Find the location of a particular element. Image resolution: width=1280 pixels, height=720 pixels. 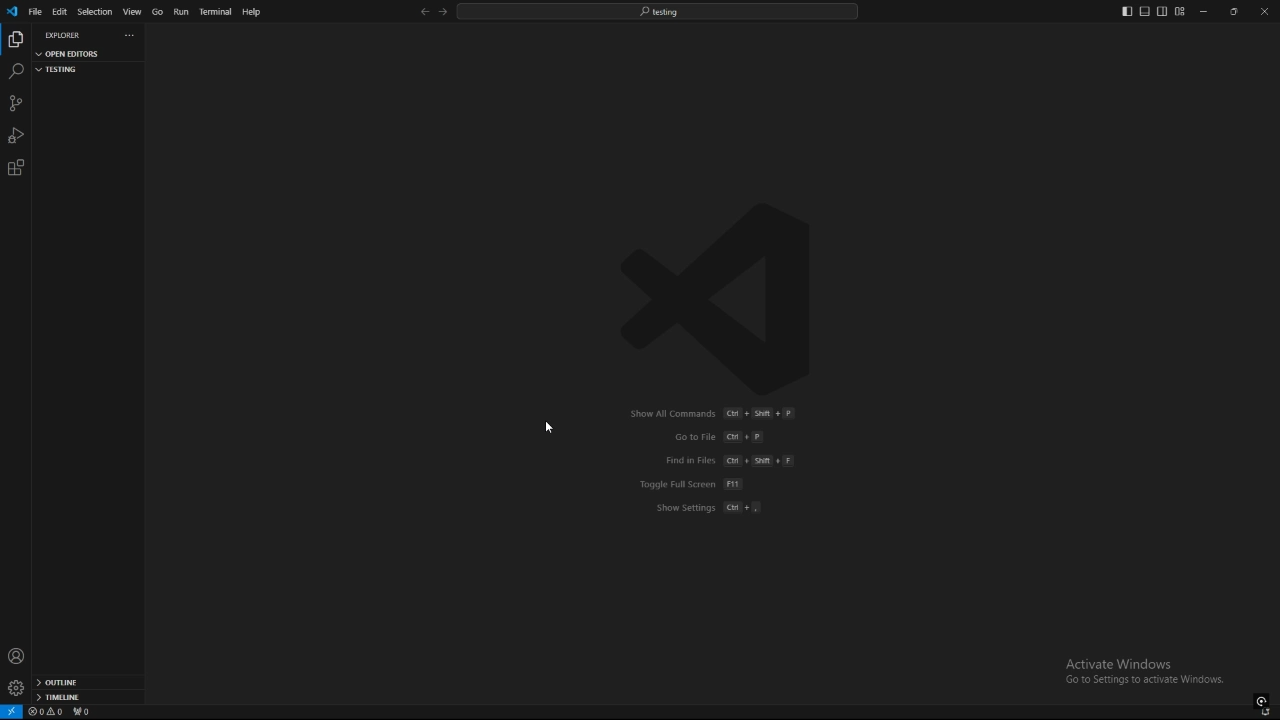

»CURSOR is located at coordinates (554, 430).